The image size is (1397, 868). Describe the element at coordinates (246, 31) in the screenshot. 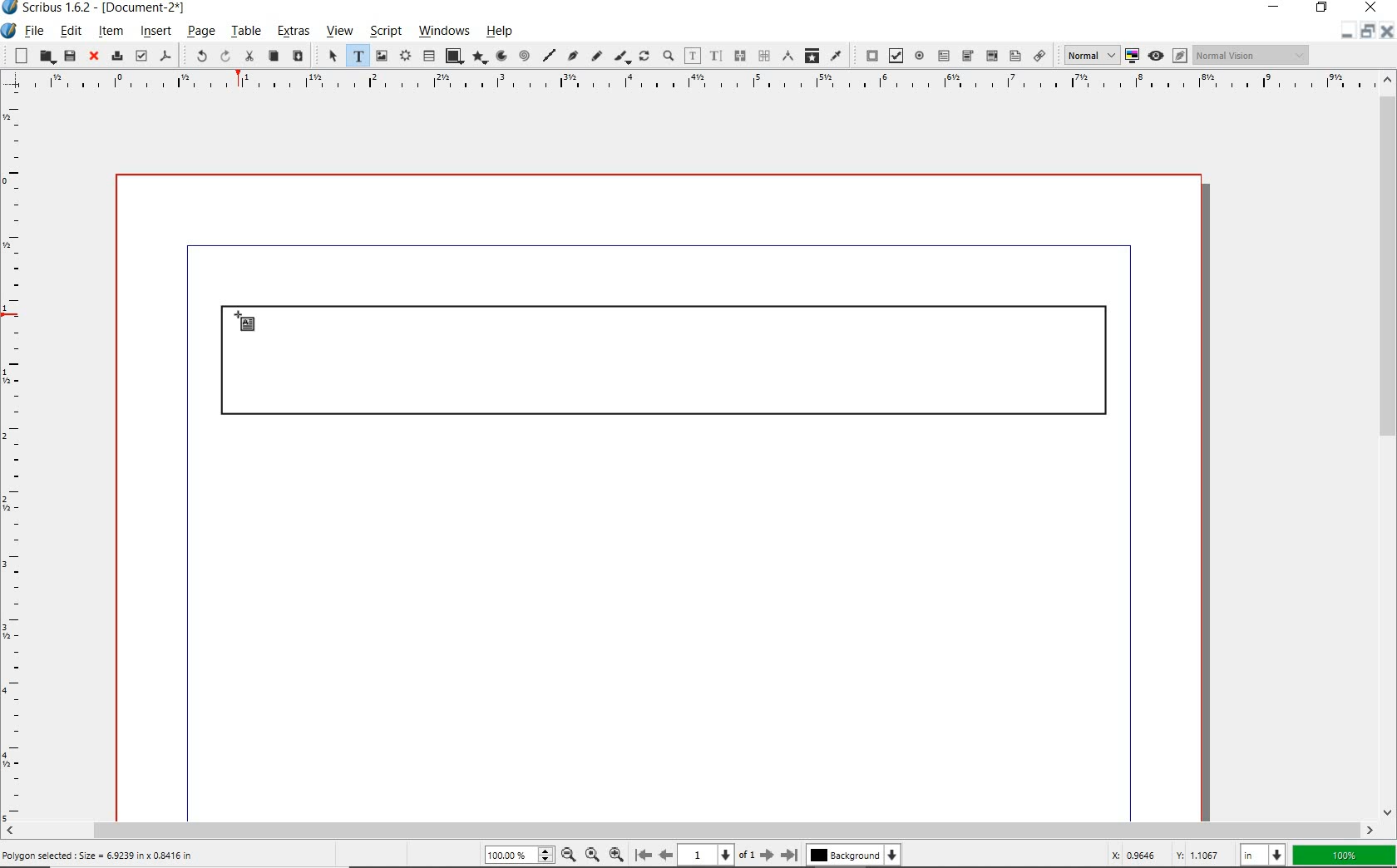

I see `table` at that location.